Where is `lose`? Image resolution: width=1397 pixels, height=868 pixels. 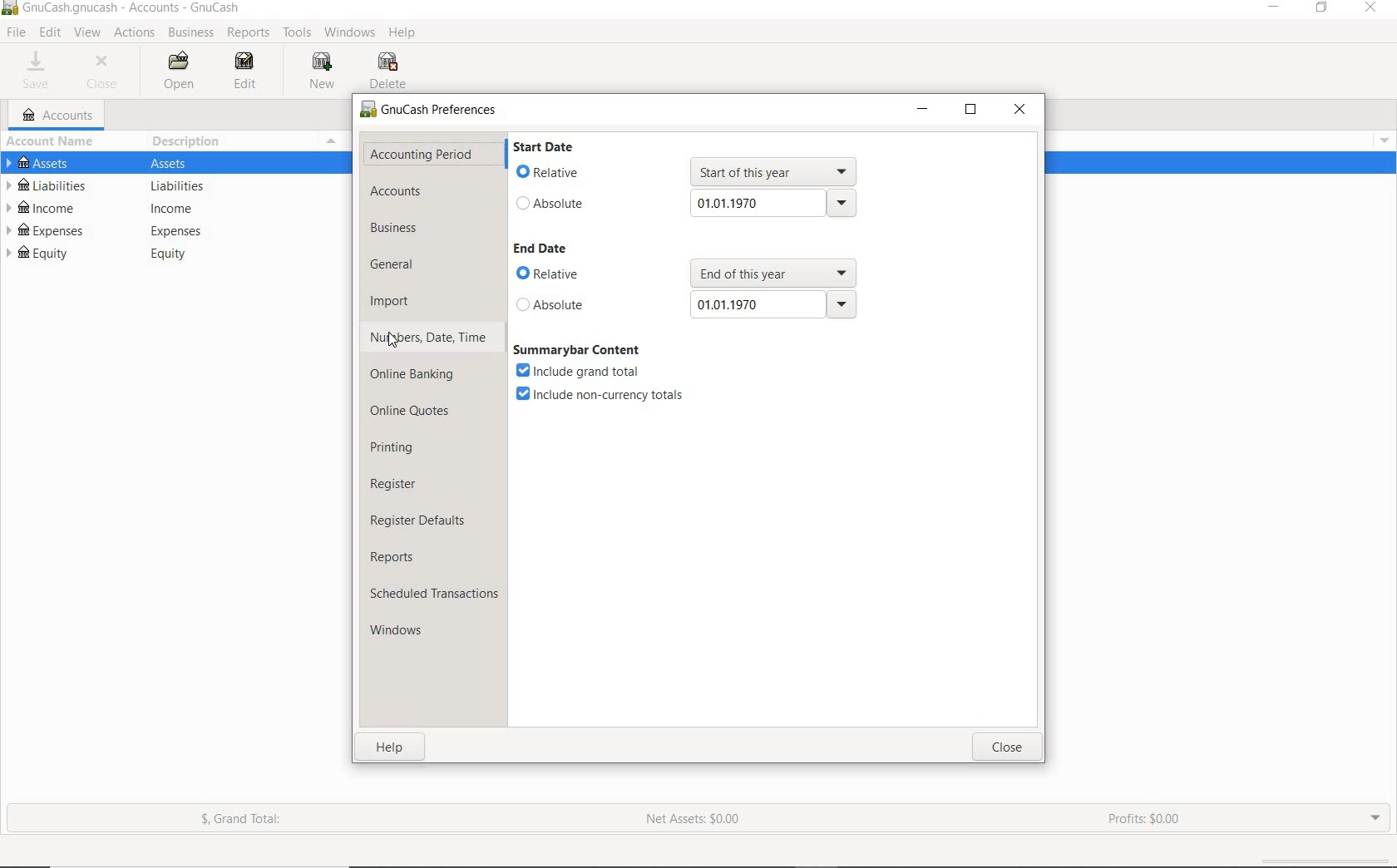 lose is located at coordinates (1009, 747).